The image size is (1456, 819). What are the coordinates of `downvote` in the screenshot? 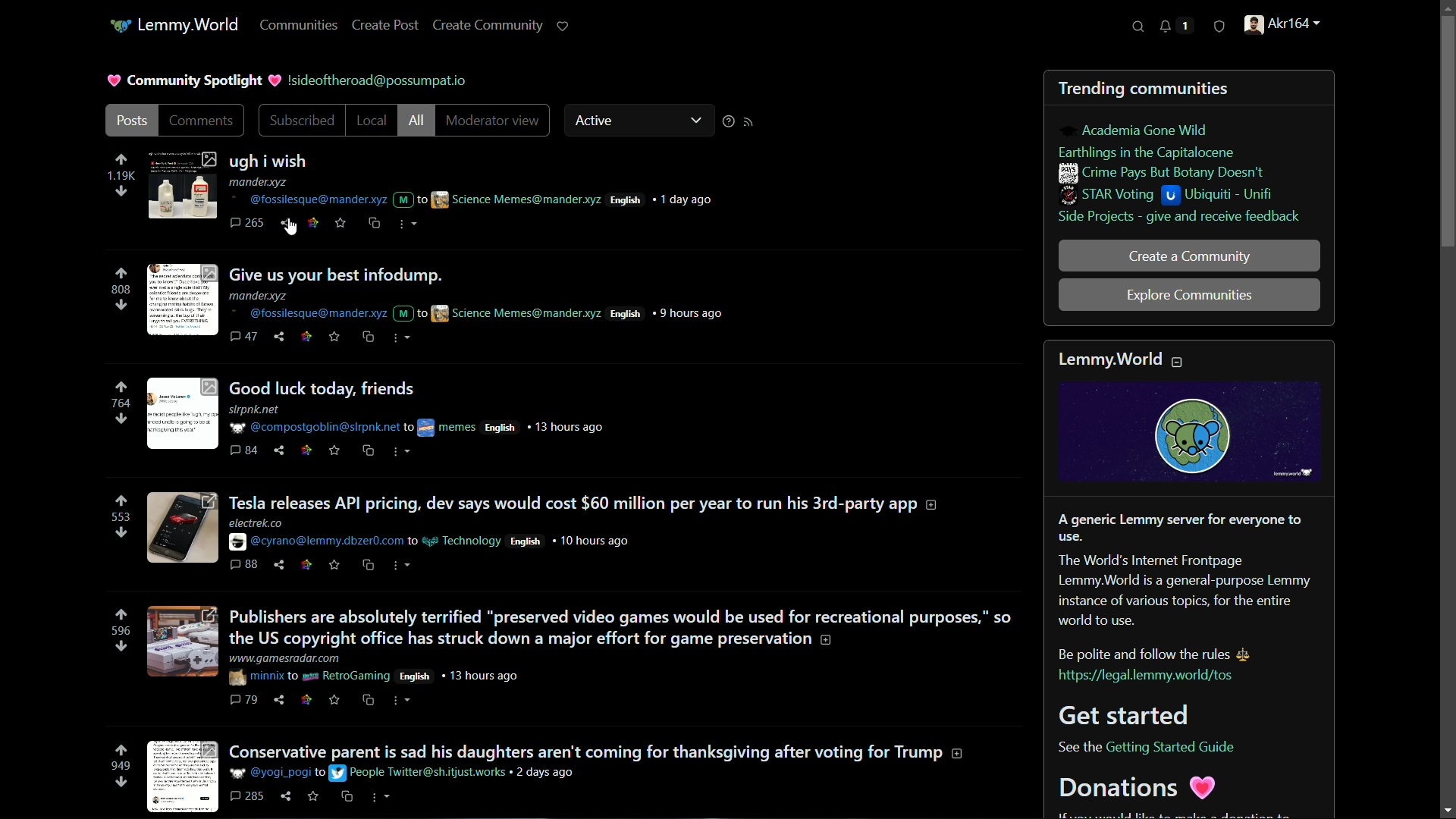 It's located at (121, 783).